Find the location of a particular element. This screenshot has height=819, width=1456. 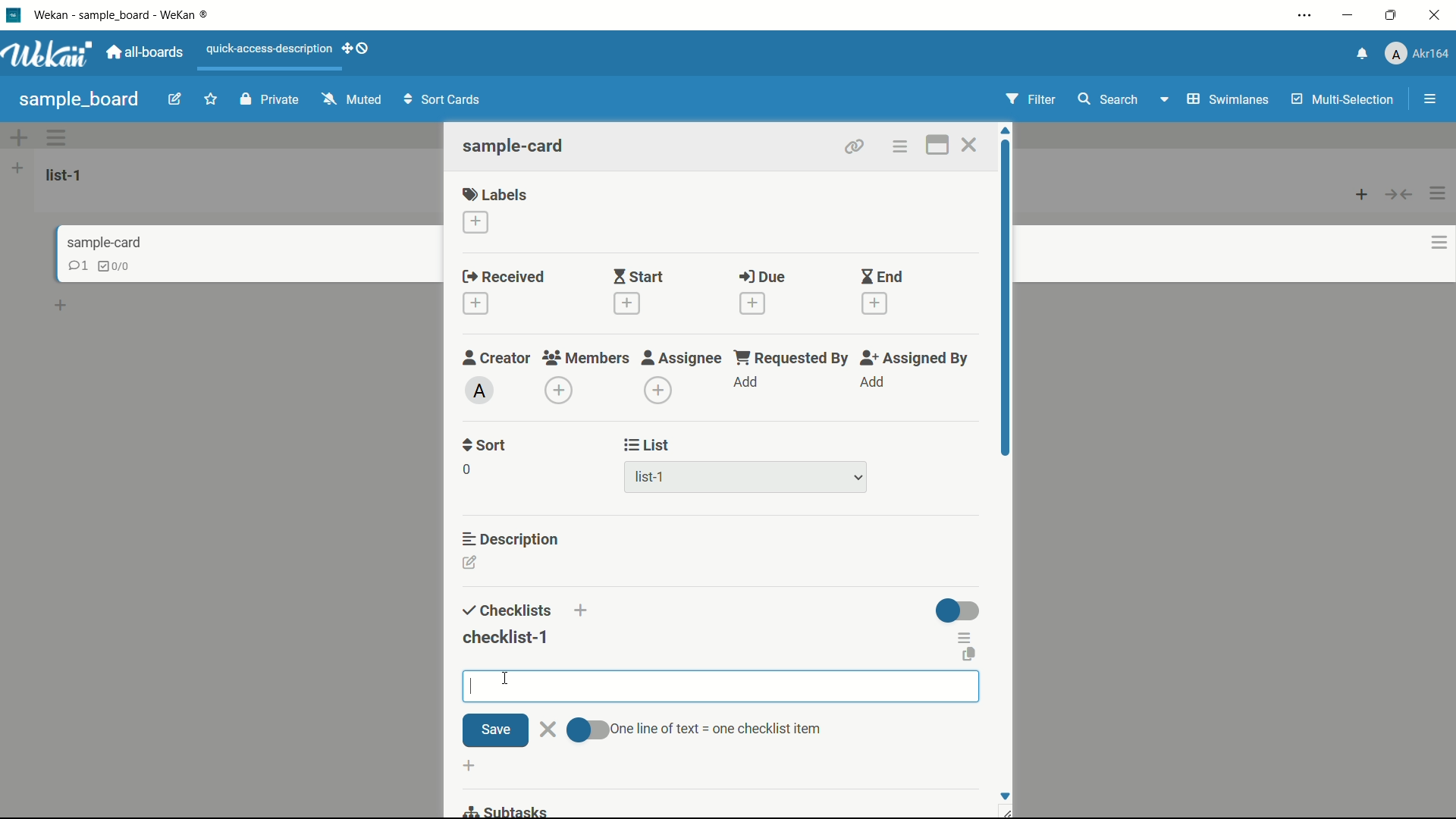

requested by is located at coordinates (792, 358).